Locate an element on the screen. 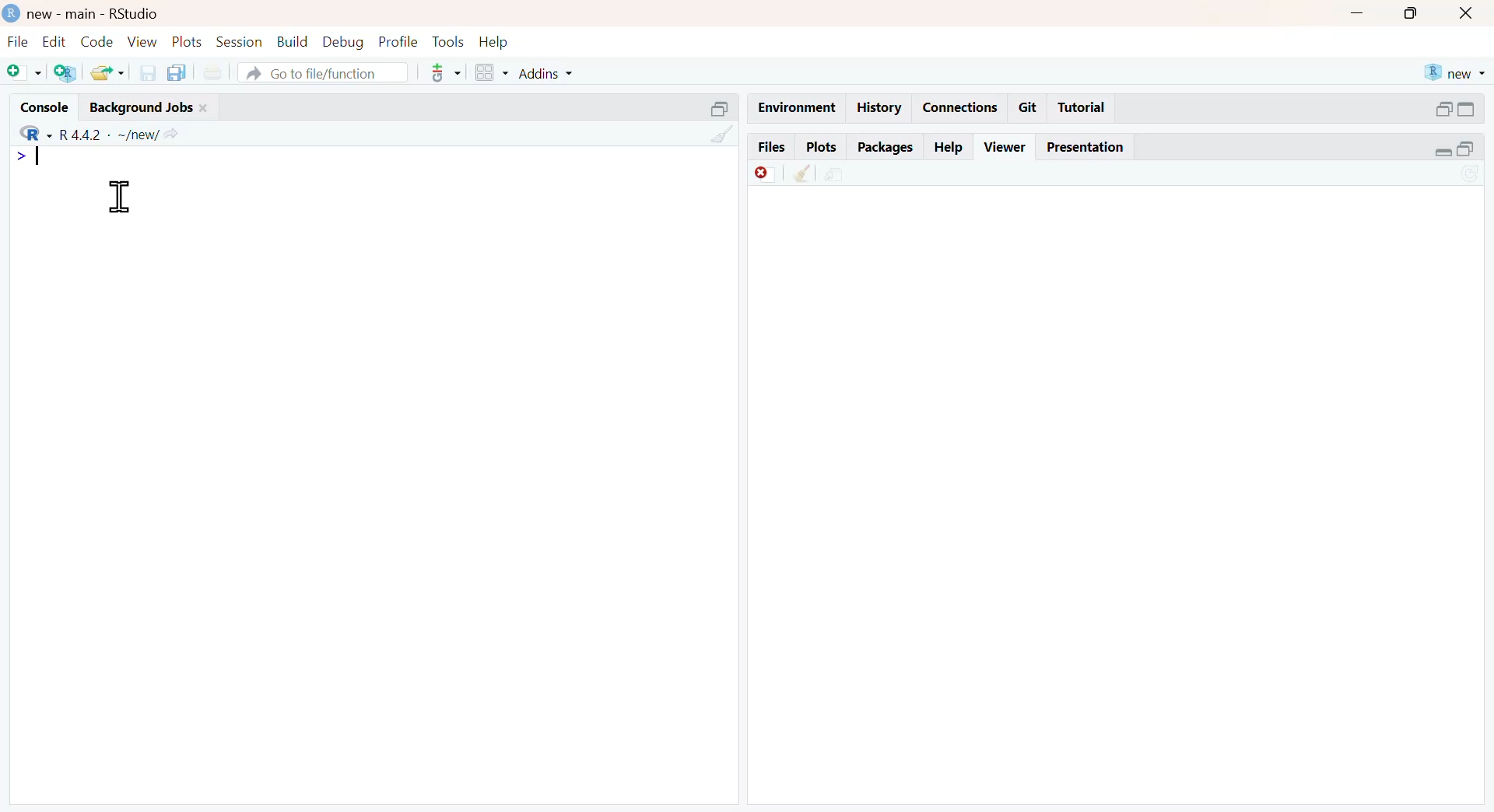 Image resolution: width=1494 pixels, height=812 pixels. new - main - RStudio is located at coordinates (93, 15).